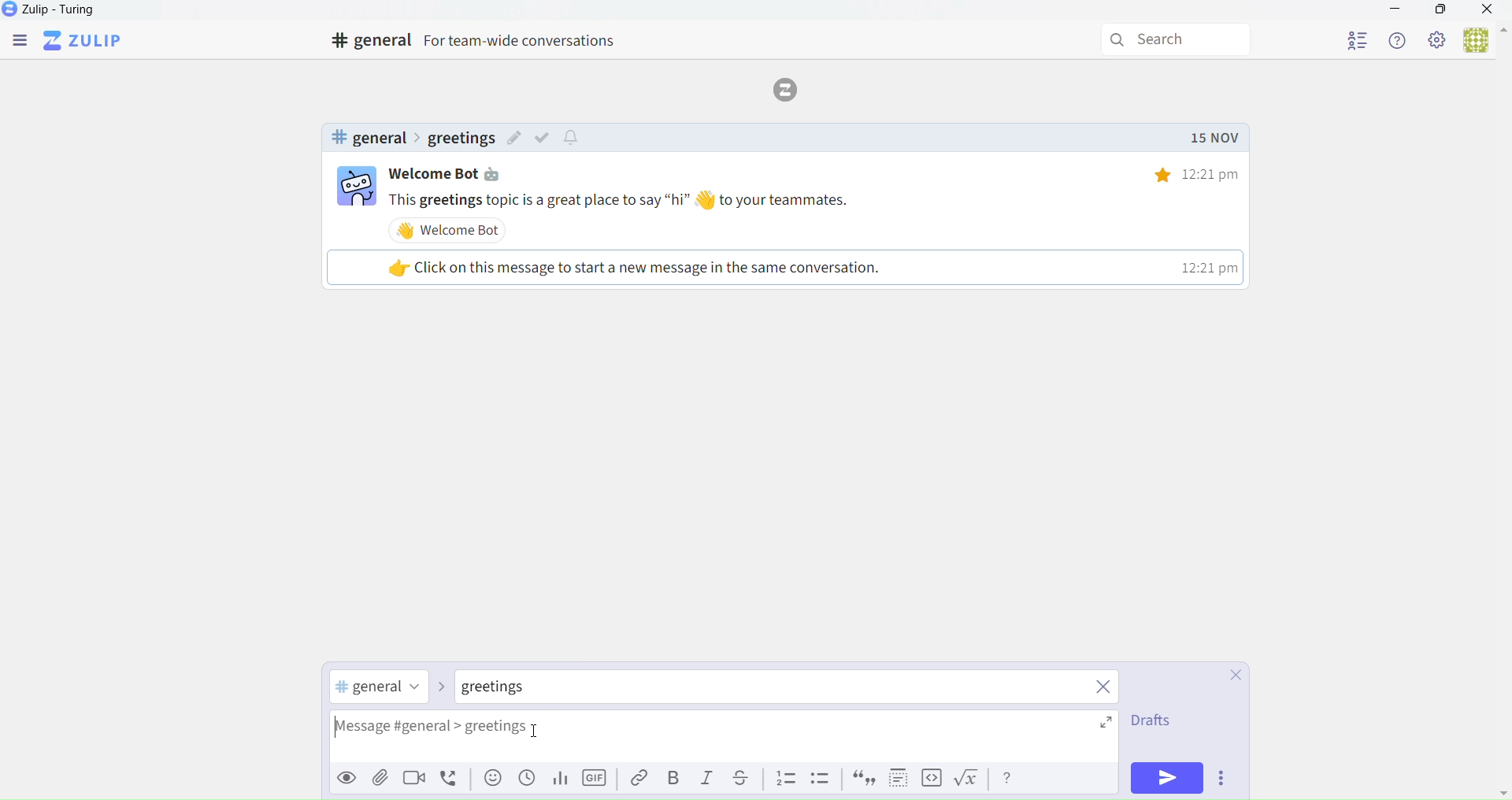 This screenshot has height=800, width=1512. What do you see at coordinates (455, 174) in the screenshot?
I see `bot name` at bounding box center [455, 174].